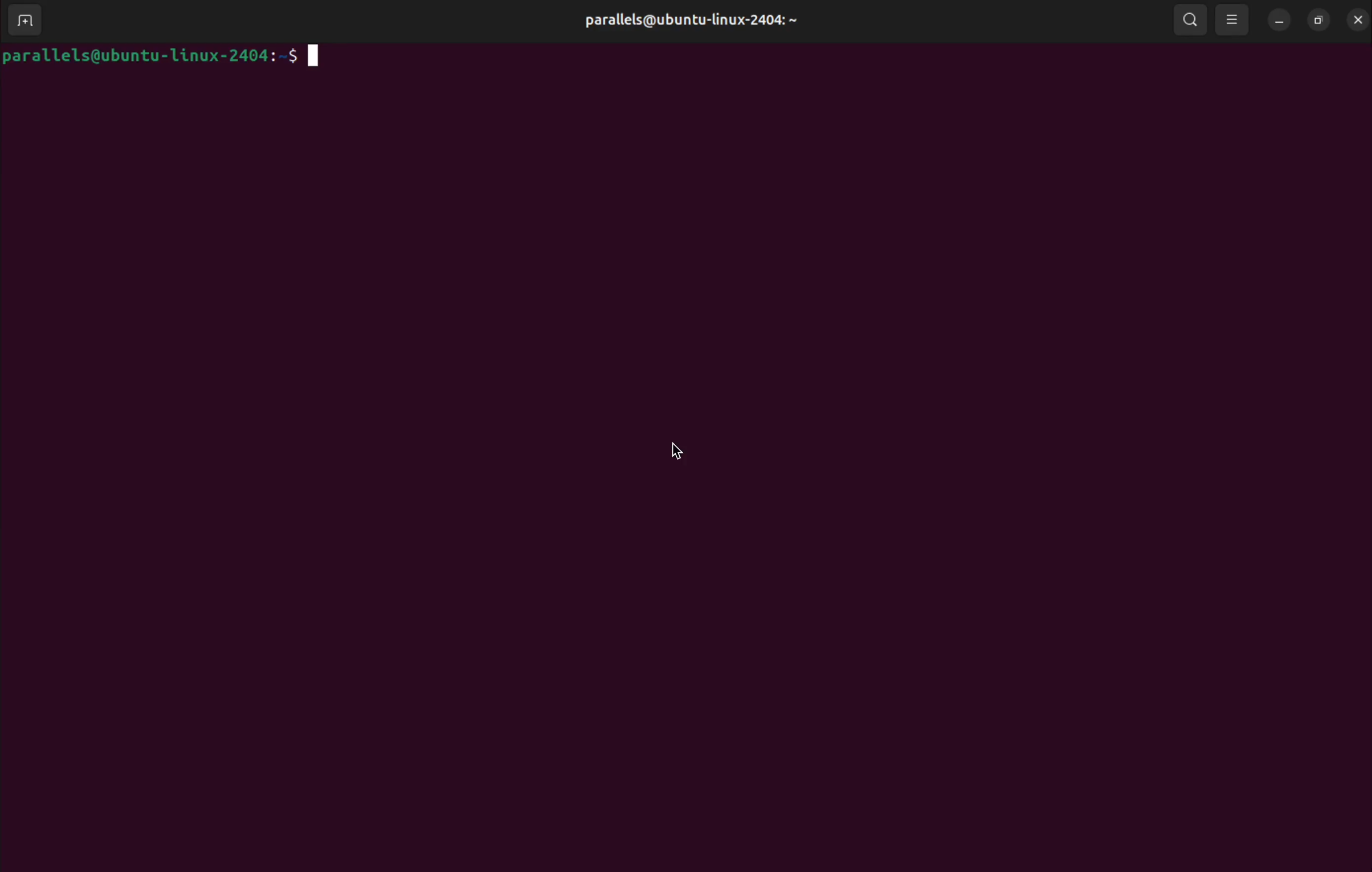 This screenshot has height=872, width=1372. What do you see at coordinates (1280, 21) in the screenshot?
I see `minimize` at bounding box center [1280, 21].